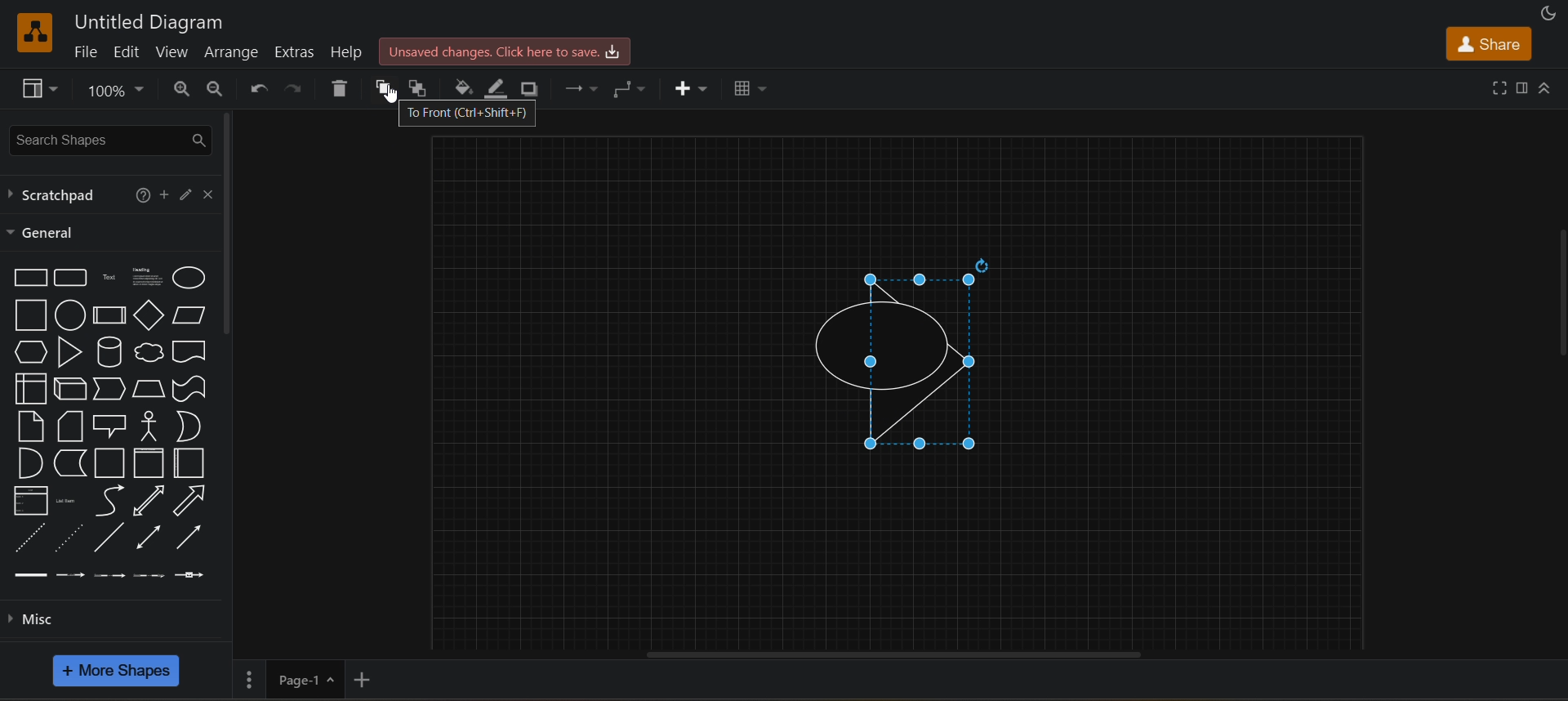  What do you see at coordinates (45, 233) in the screenshot?
I see `general` at bounding box center [45, 233].